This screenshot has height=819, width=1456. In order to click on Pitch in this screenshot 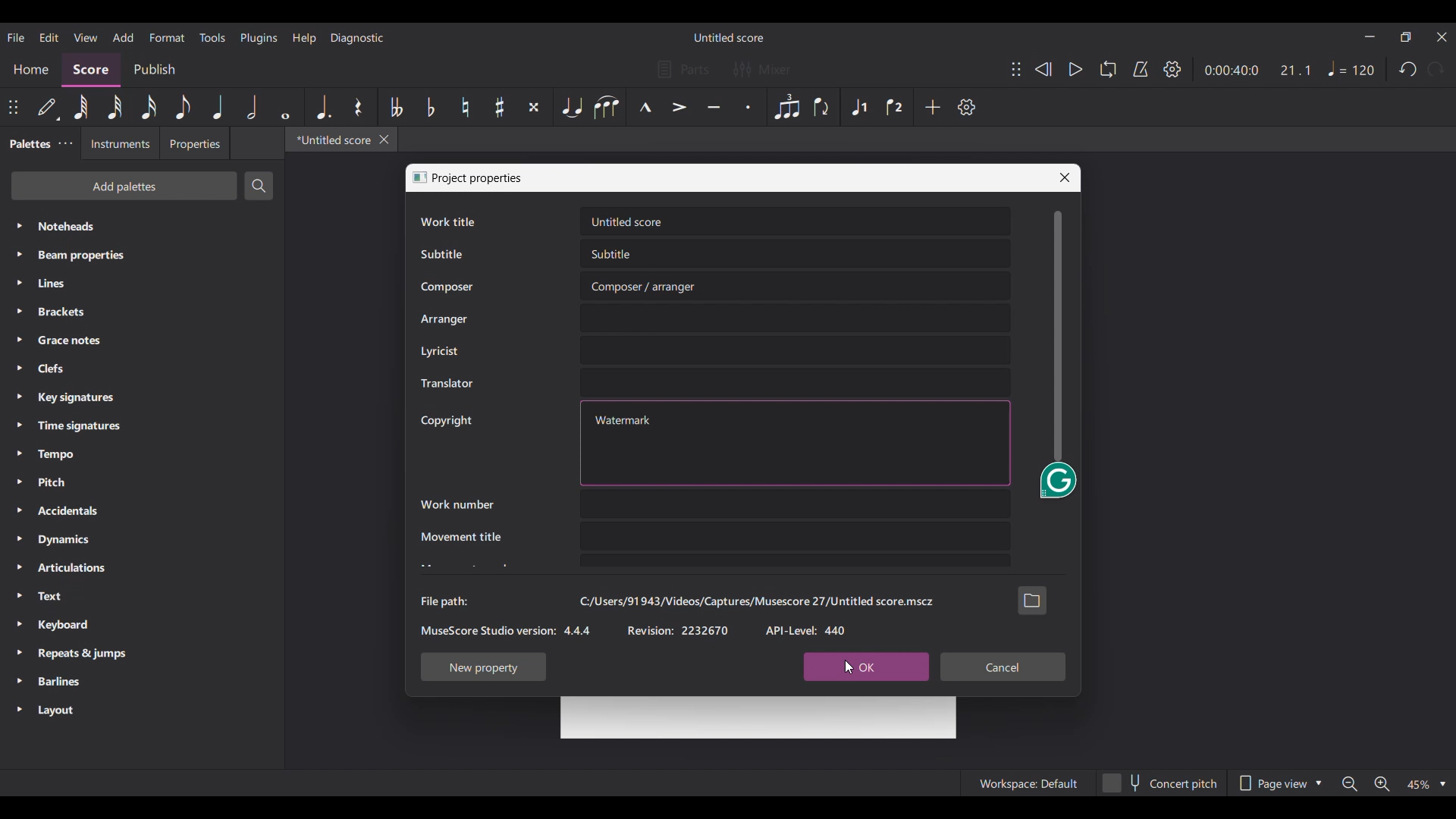, I will do `click(143, 482)`.